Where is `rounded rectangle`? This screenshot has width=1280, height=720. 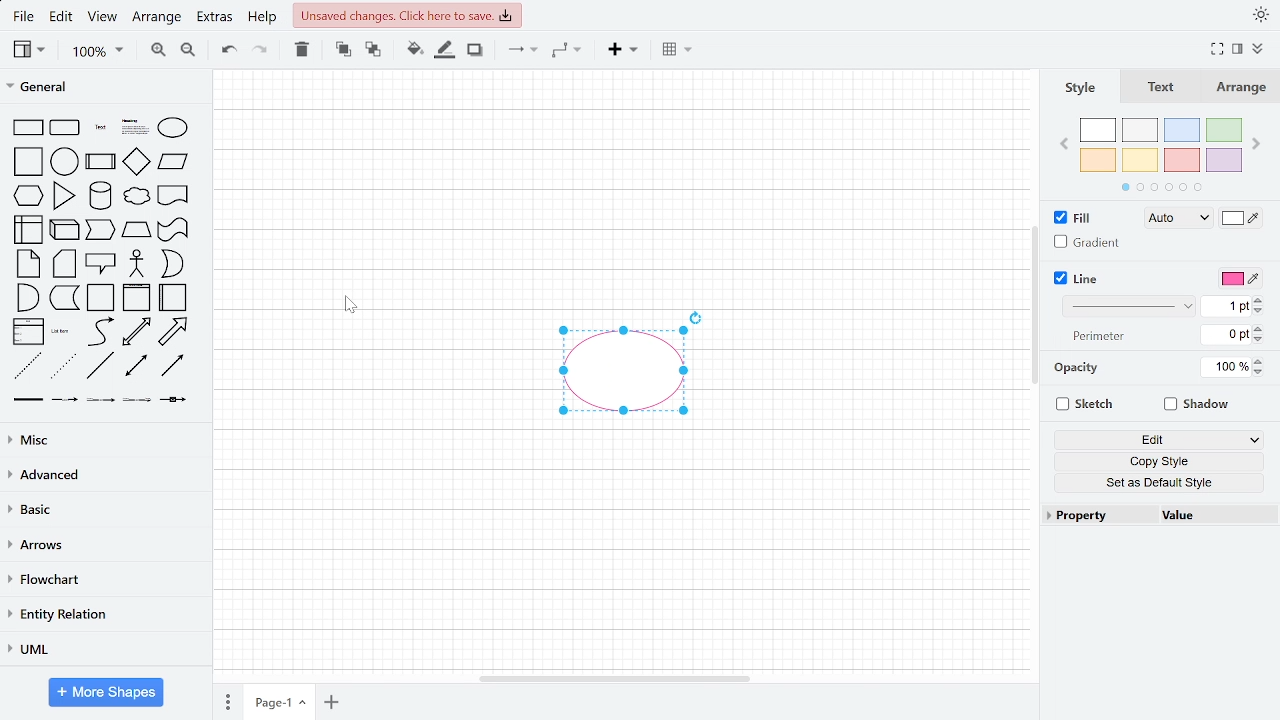 rounded rectangle is located at coordinates (66, 128).